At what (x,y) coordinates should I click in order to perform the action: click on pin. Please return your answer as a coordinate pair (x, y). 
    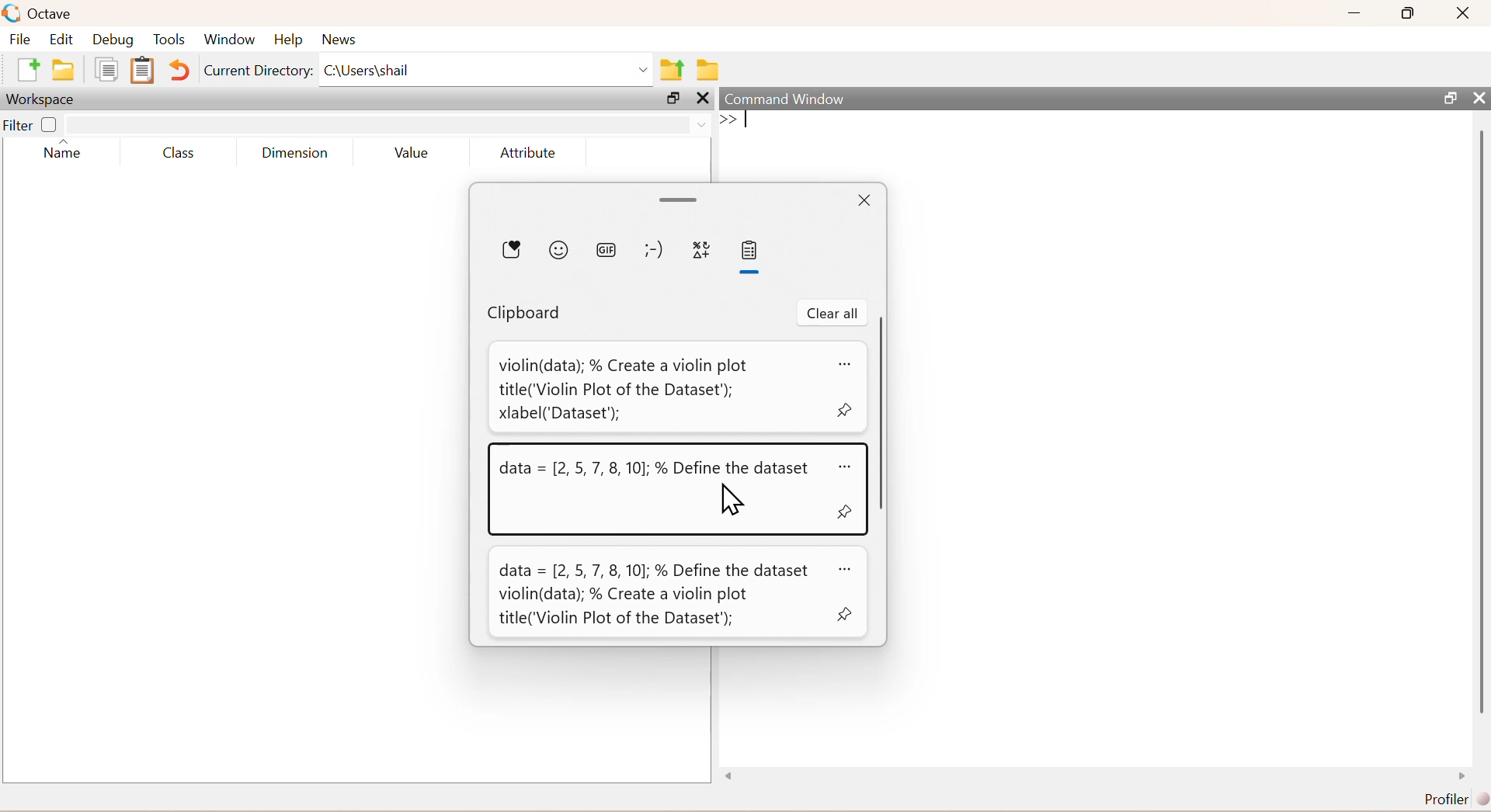
    Looking at the image, I should click on (845, 614).